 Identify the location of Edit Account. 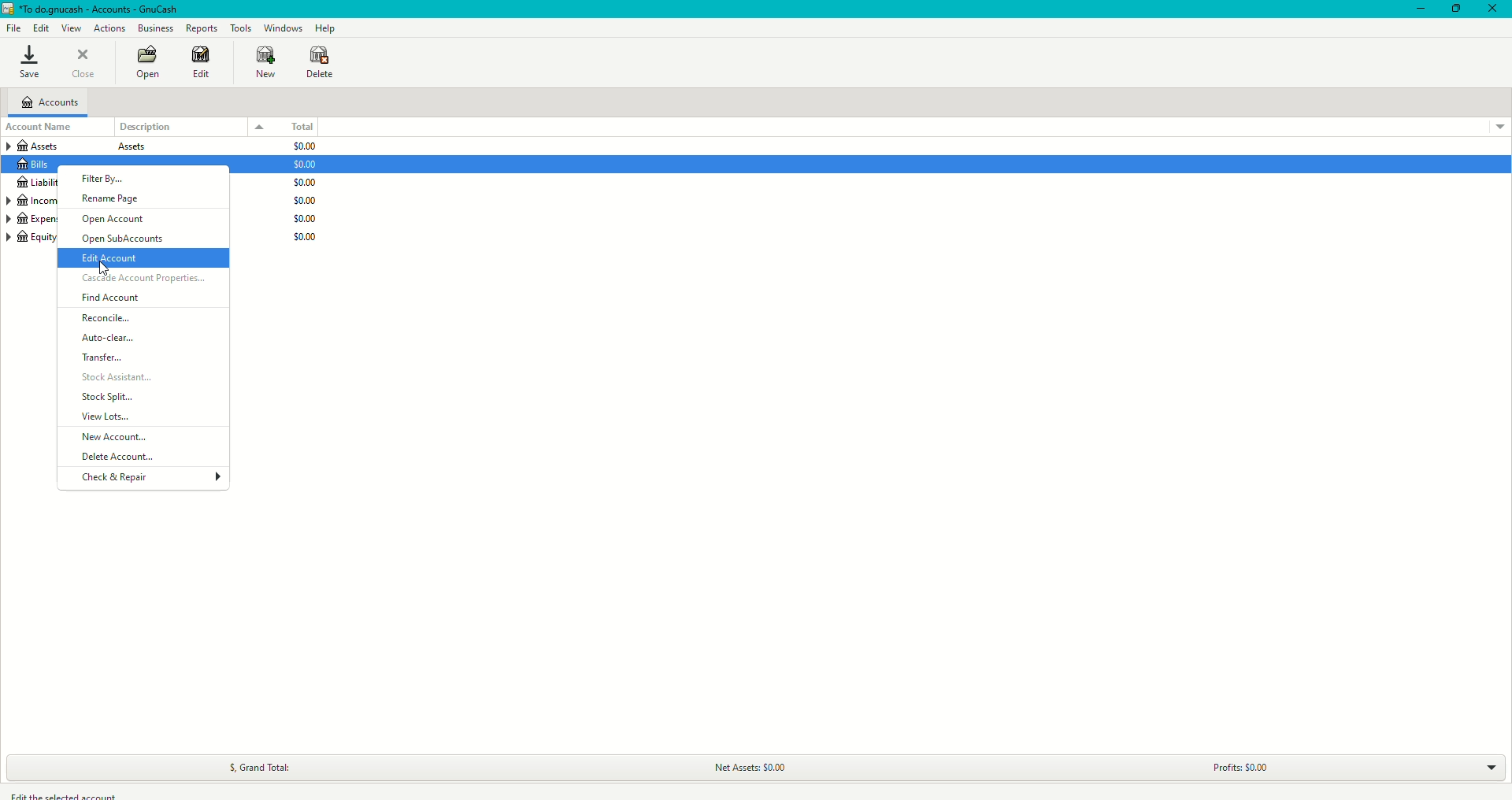
(116, 259).